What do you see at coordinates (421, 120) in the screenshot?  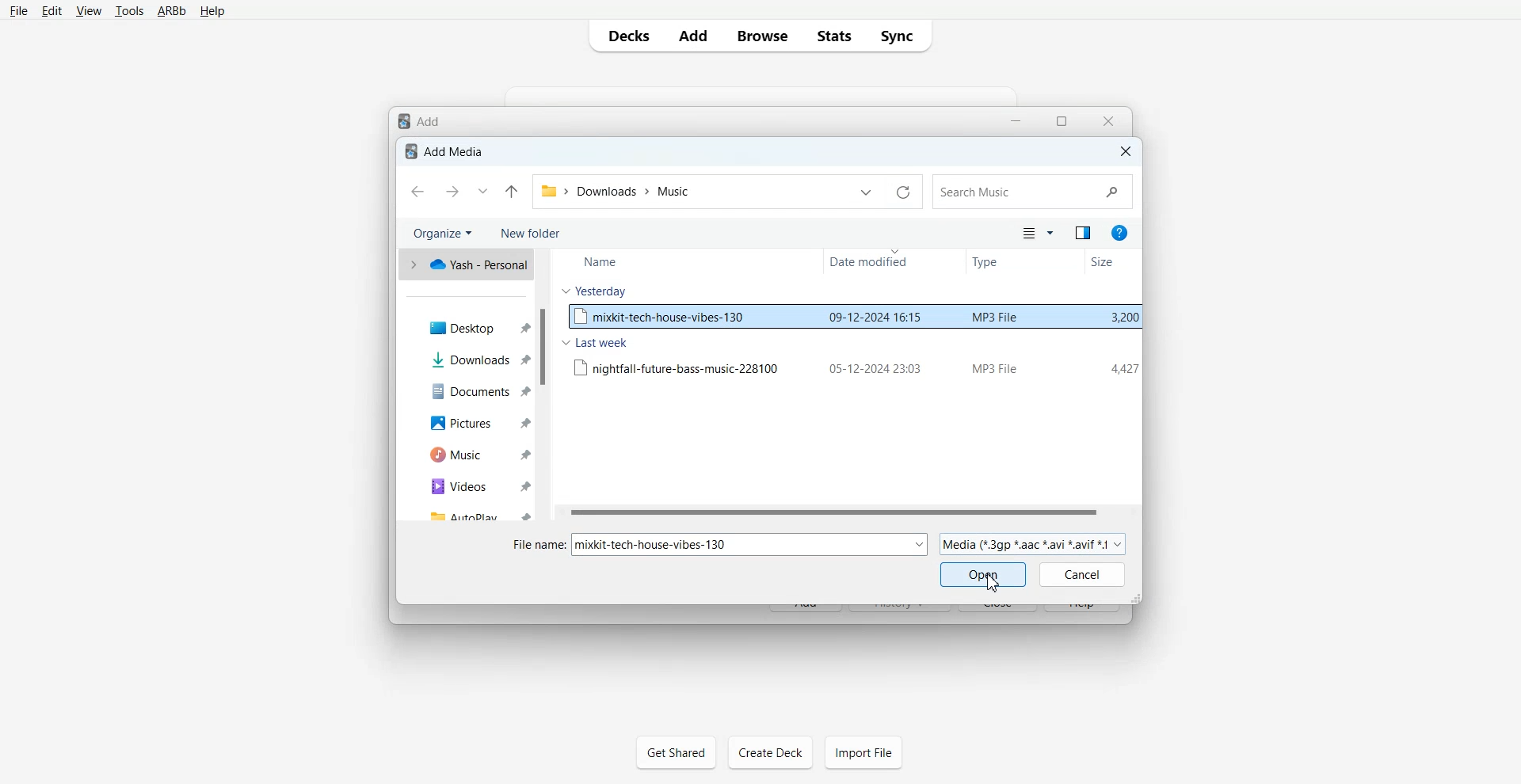 I see `Text` at bounding box center [421, 120].